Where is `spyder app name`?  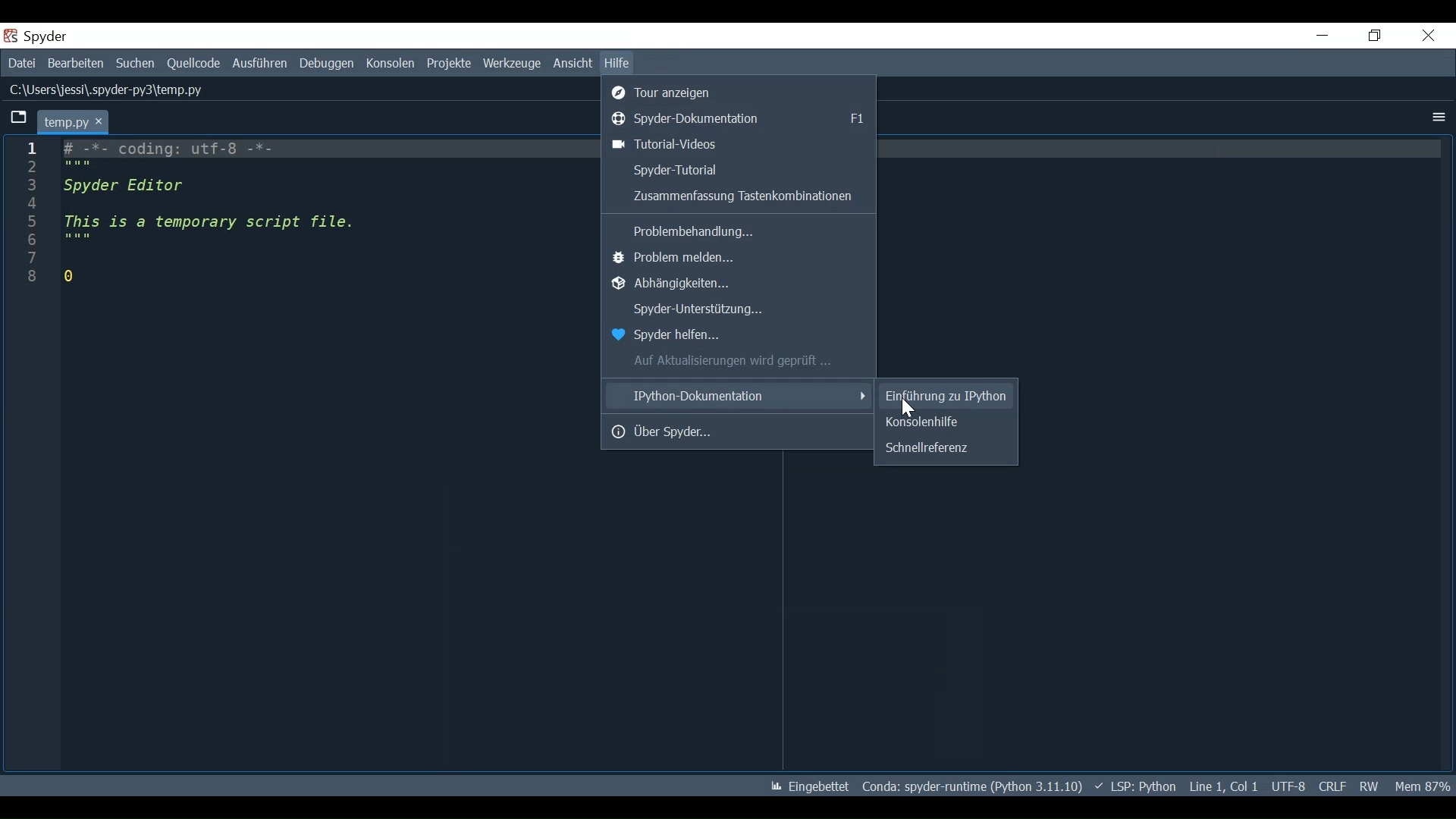 spyder app name is located at coordinates (78, 36).